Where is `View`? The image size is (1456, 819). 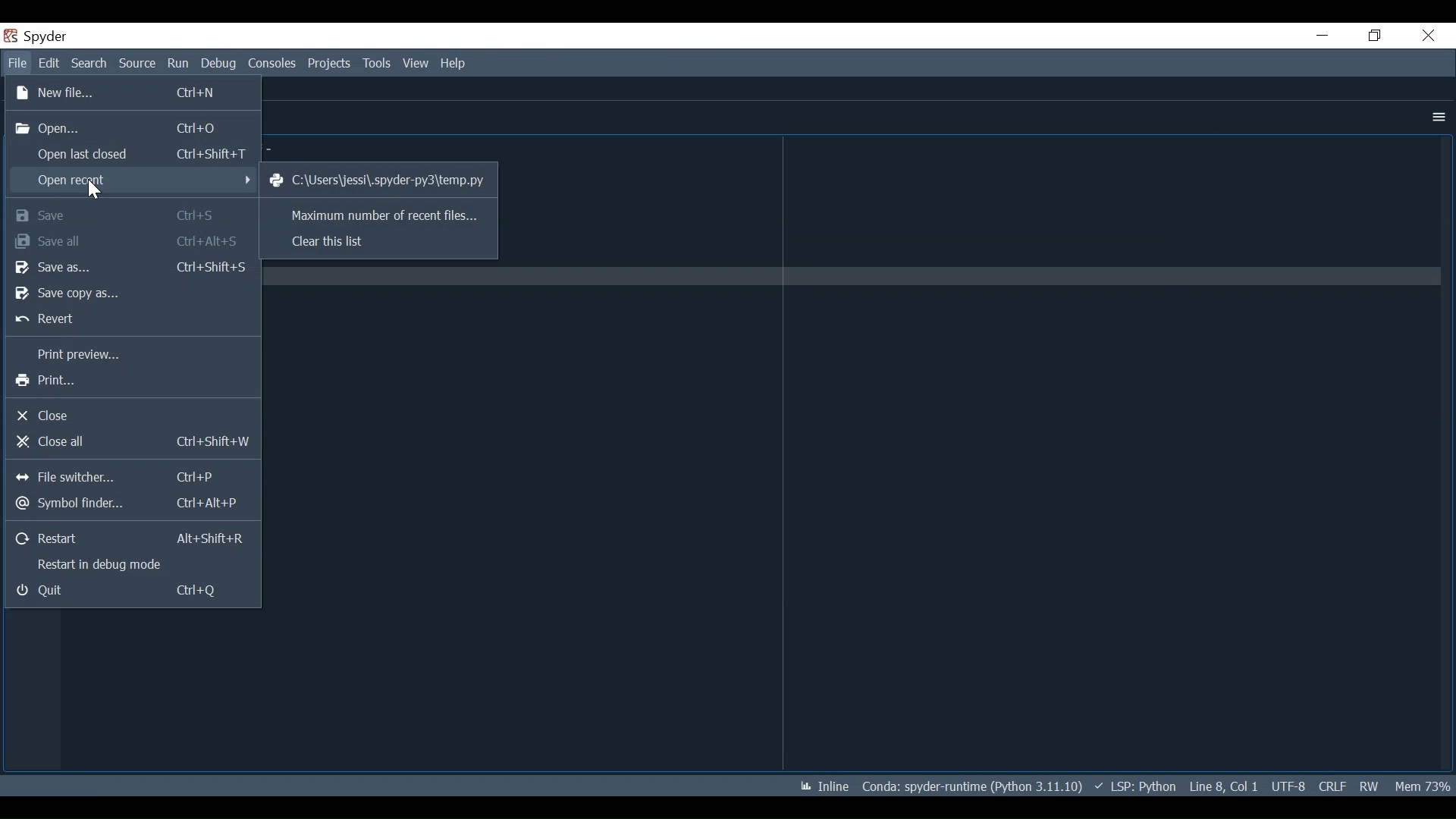 View is located at coordinates (419, 63).